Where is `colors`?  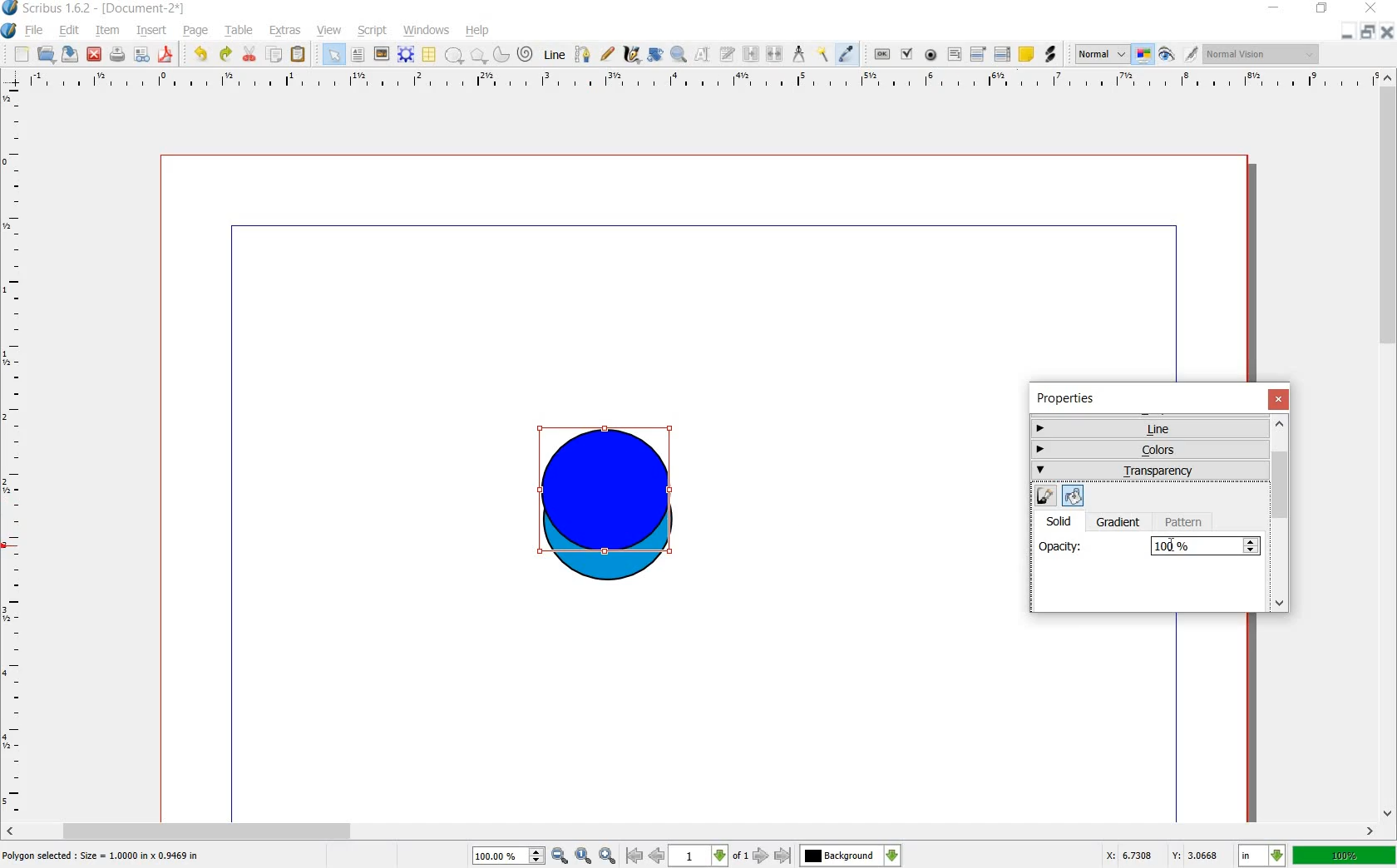 colors is located at coordinates (1151, 447).